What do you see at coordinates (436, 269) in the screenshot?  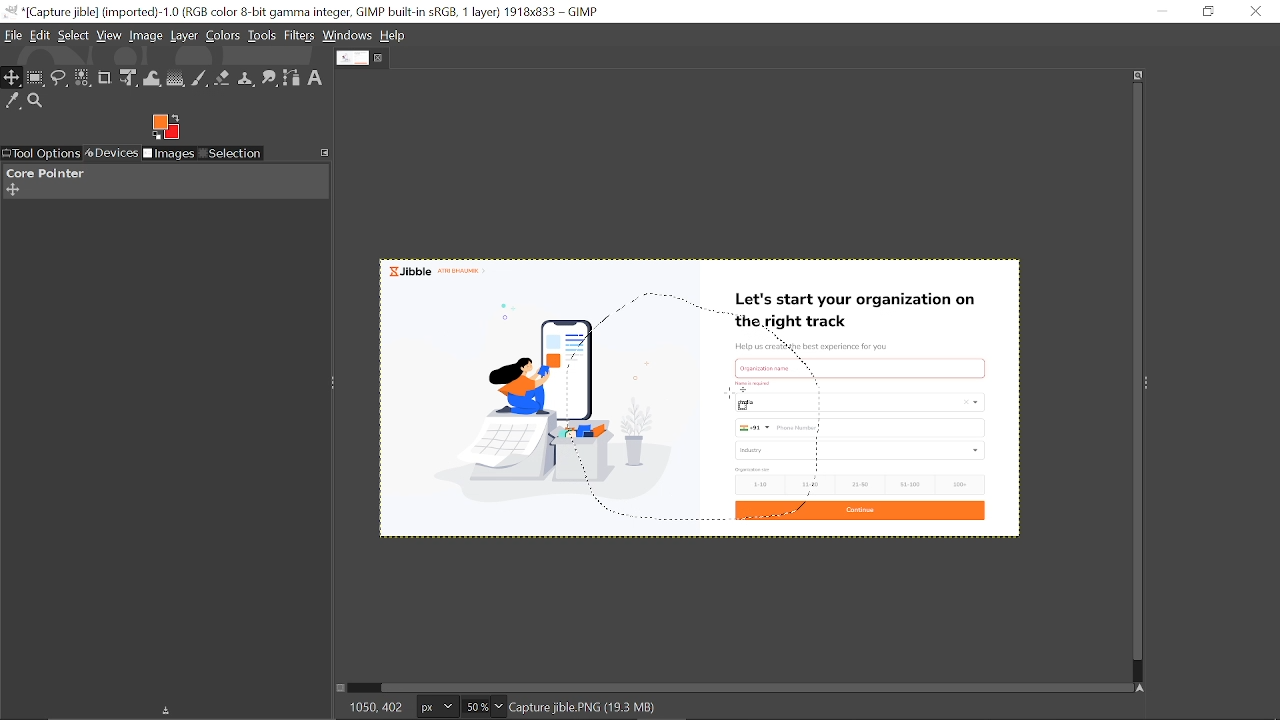 I see `Jibble` at bounding box center [436, 269].